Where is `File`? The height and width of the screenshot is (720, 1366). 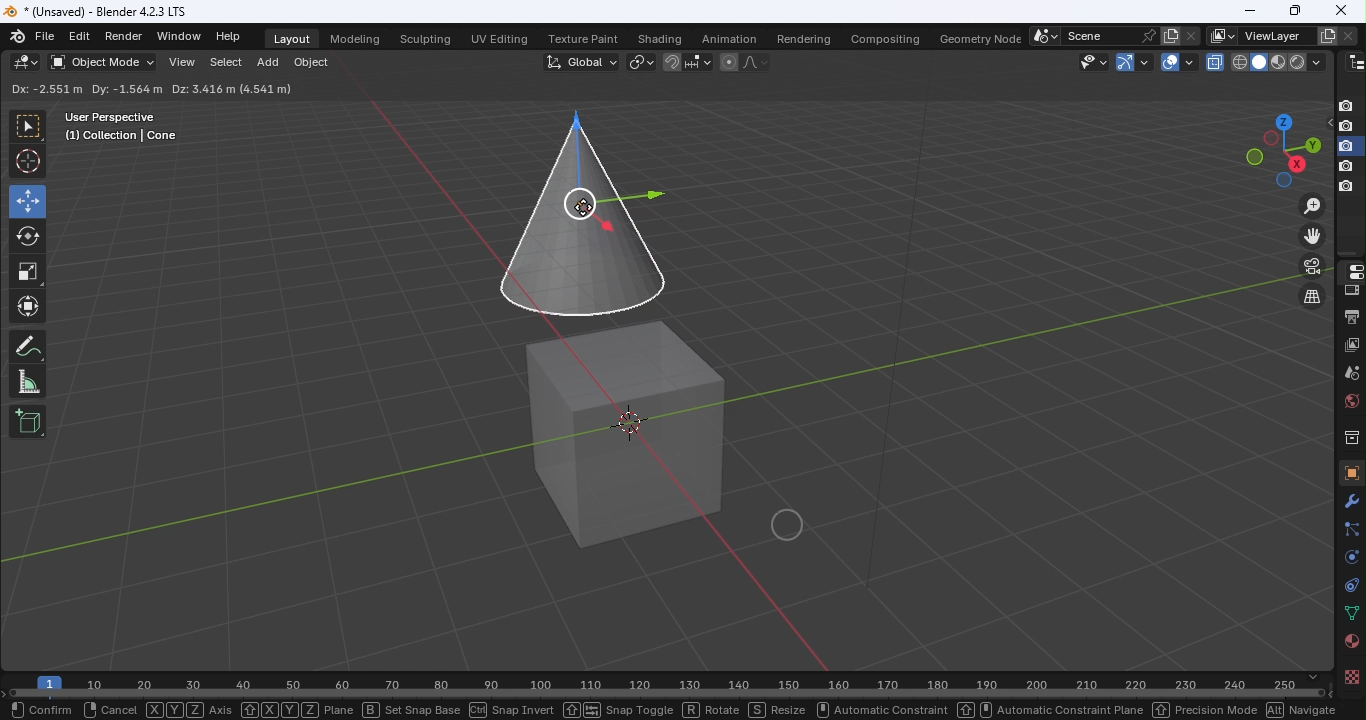
File is located at coordinates (46, 37).